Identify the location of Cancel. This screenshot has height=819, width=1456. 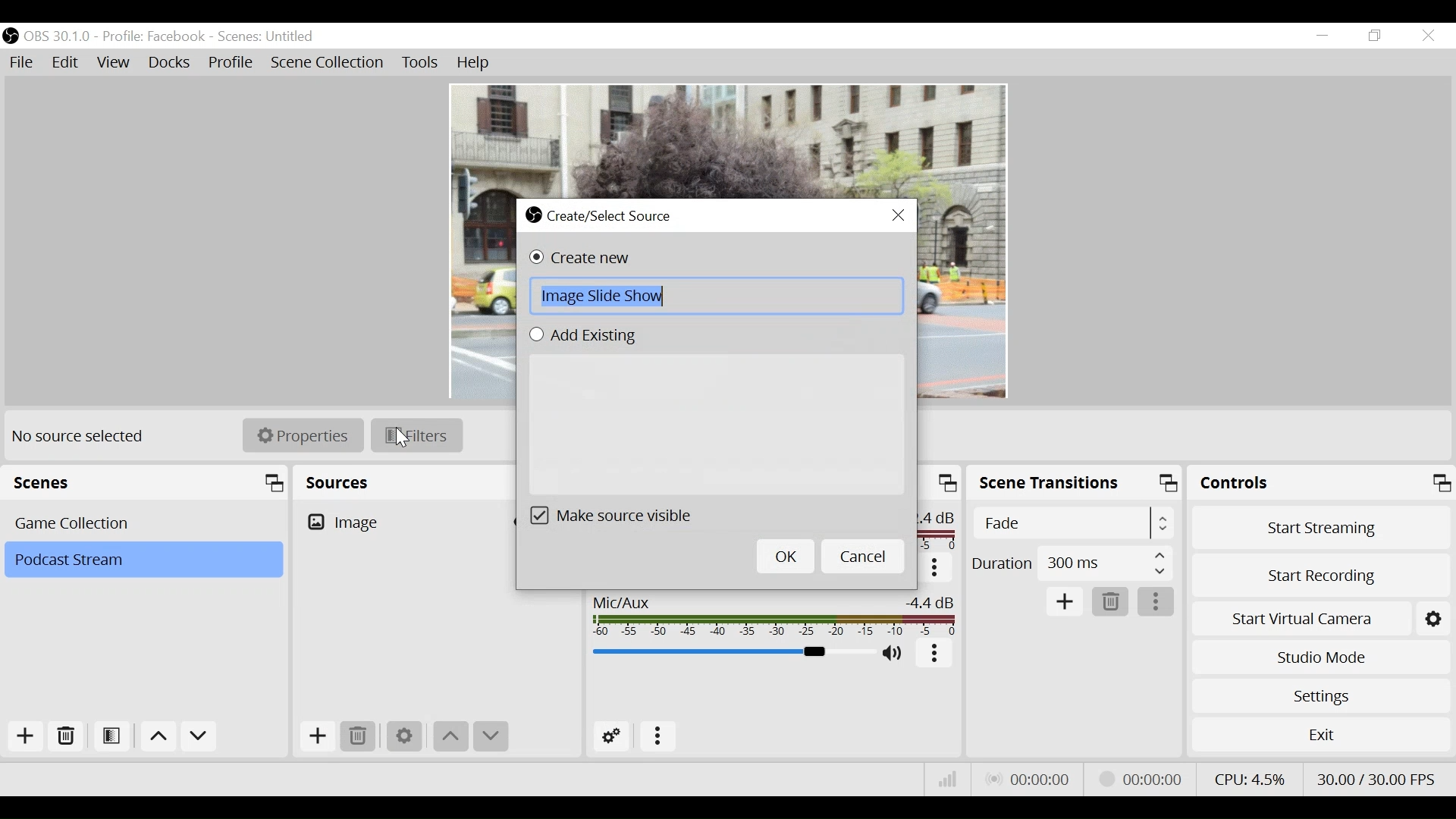
(863, 556).